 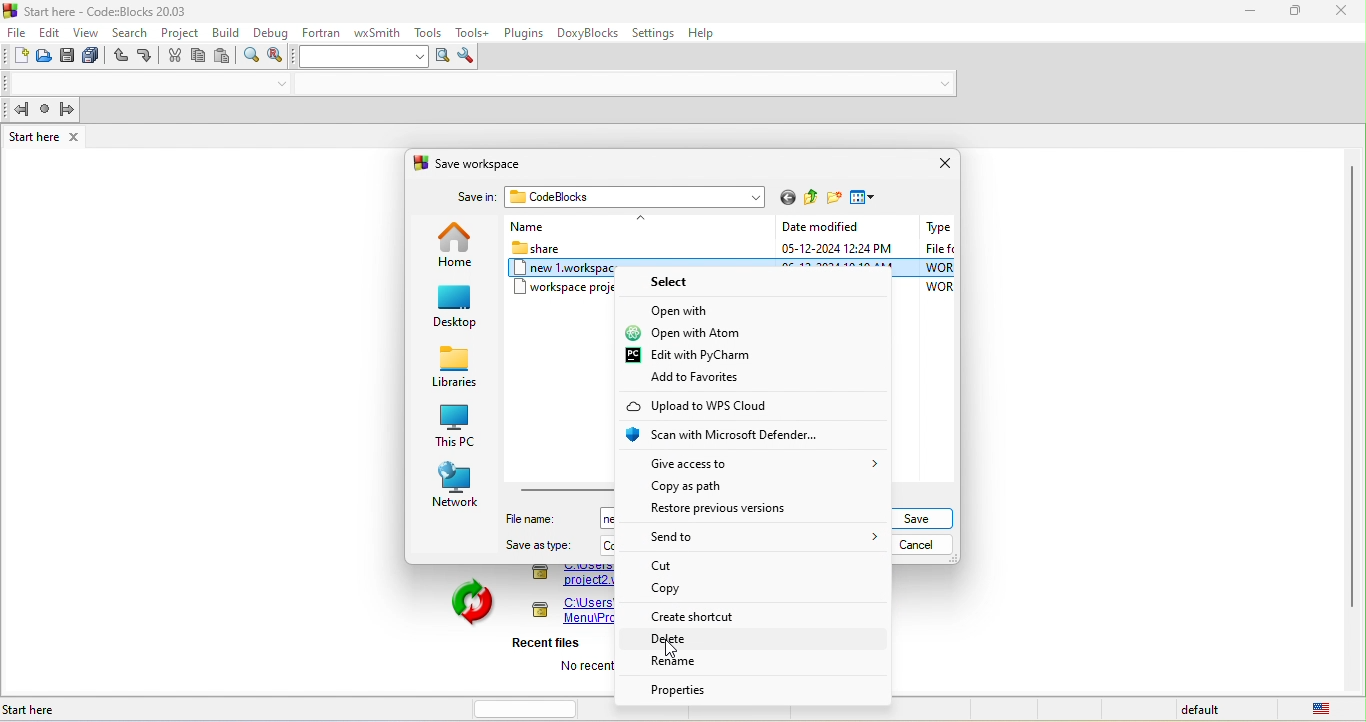 I want to click on add to favorites, so click(x=720, y=378).